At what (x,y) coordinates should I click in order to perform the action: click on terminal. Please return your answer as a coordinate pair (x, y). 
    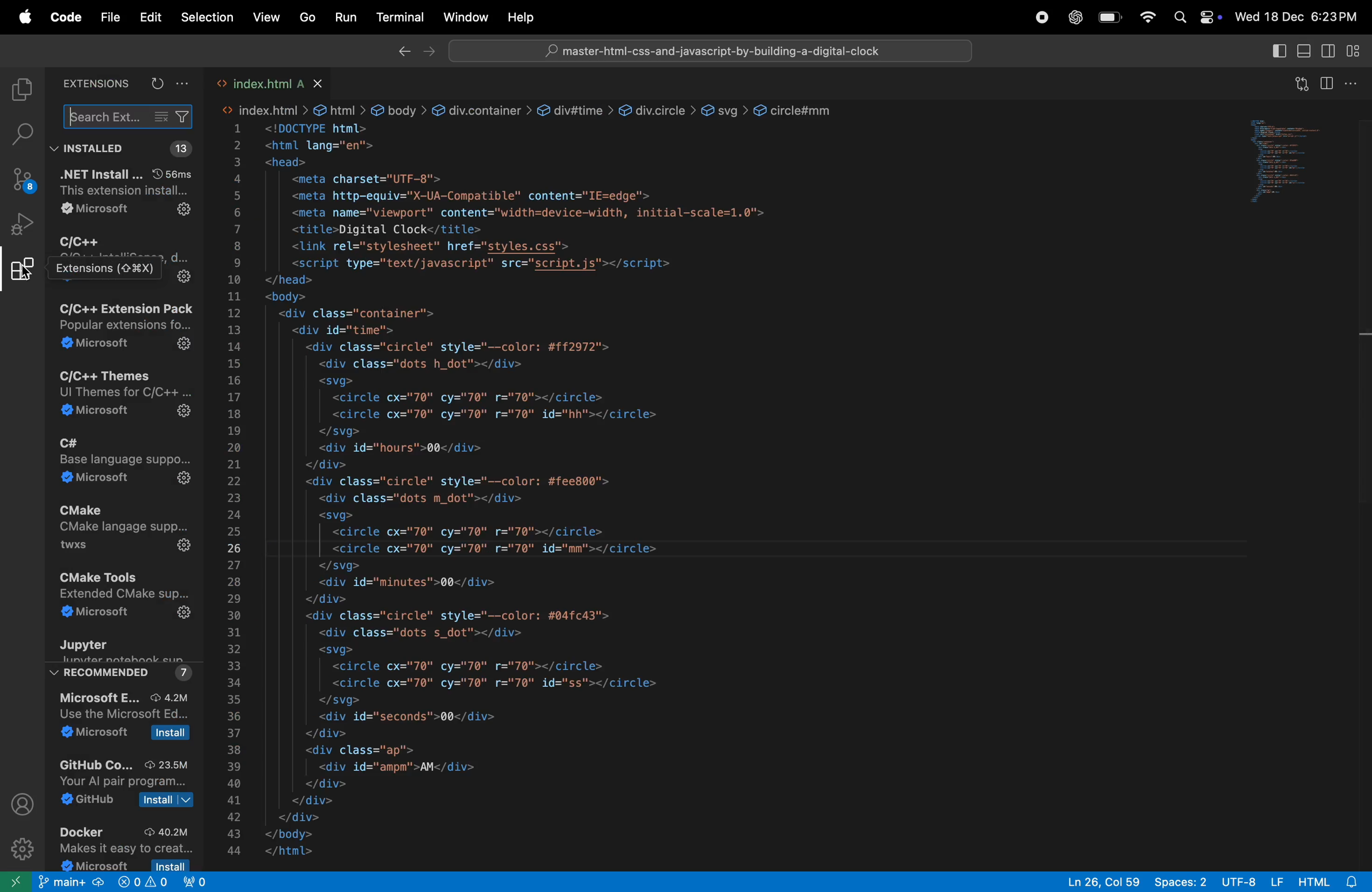
    Looking at the image, I should click on (397, 16).